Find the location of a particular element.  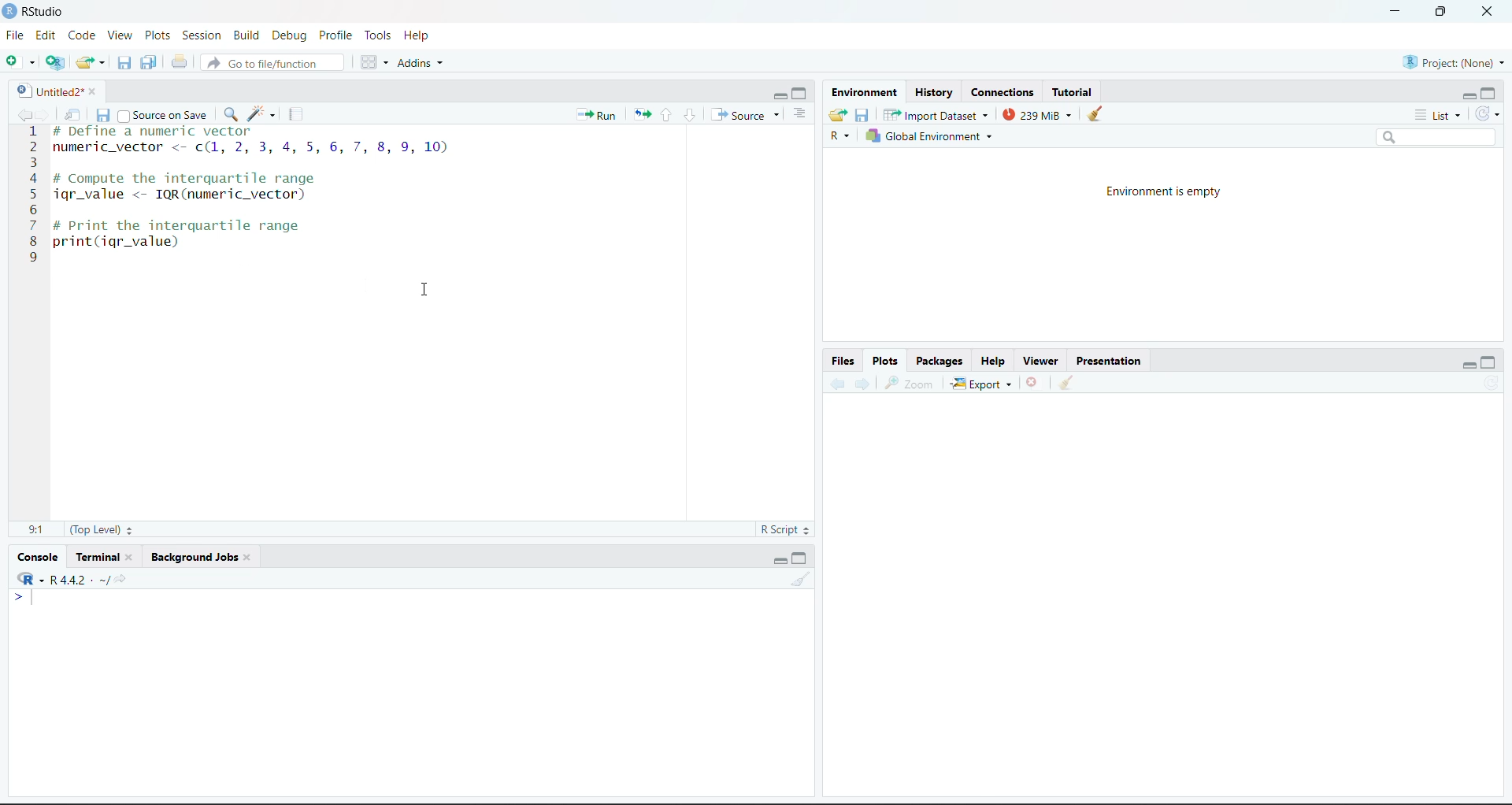

Export is located at coordinates (984, 384).